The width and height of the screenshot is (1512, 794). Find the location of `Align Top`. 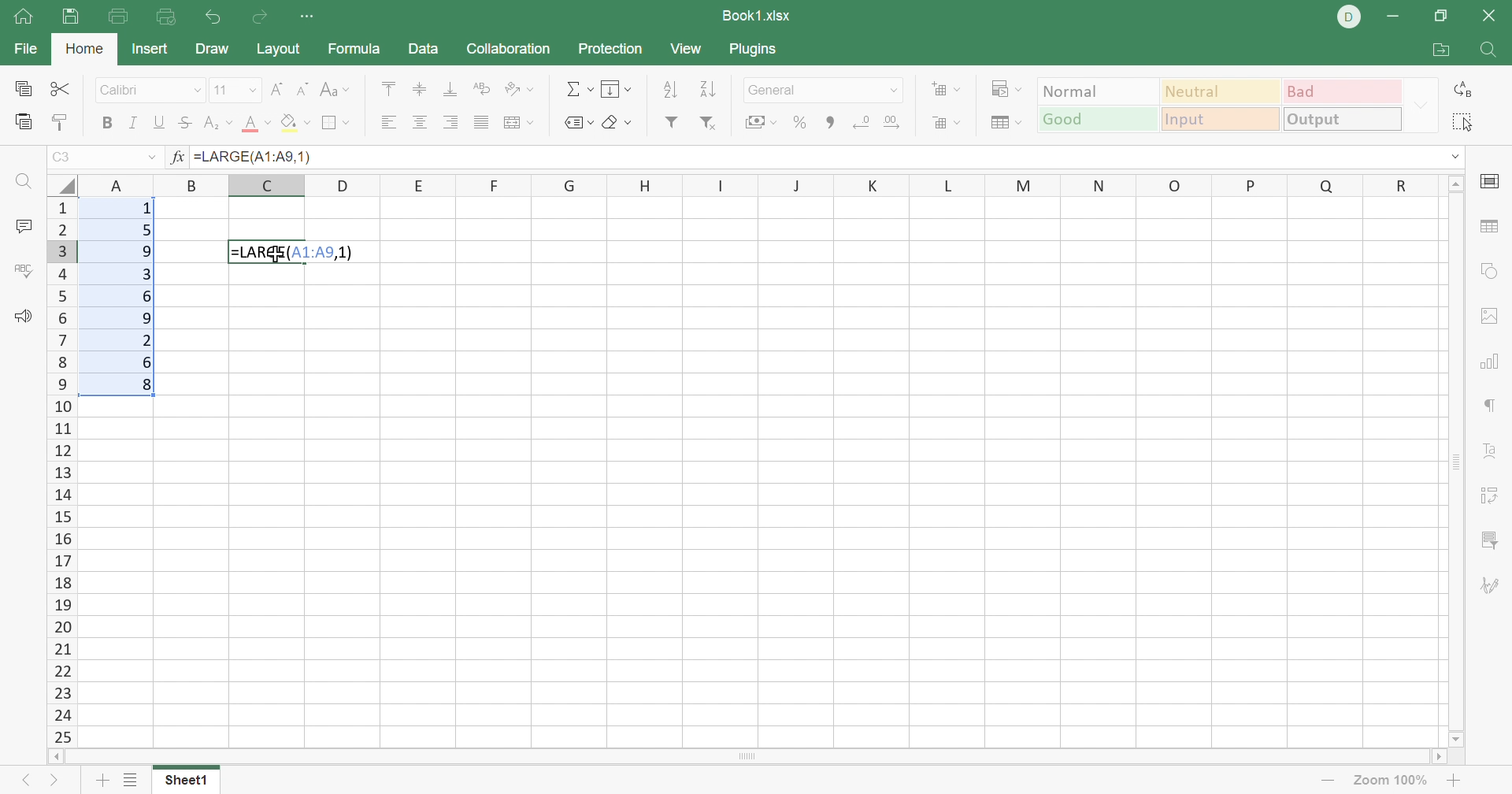

Align Top is located at coordinates (388, 91).